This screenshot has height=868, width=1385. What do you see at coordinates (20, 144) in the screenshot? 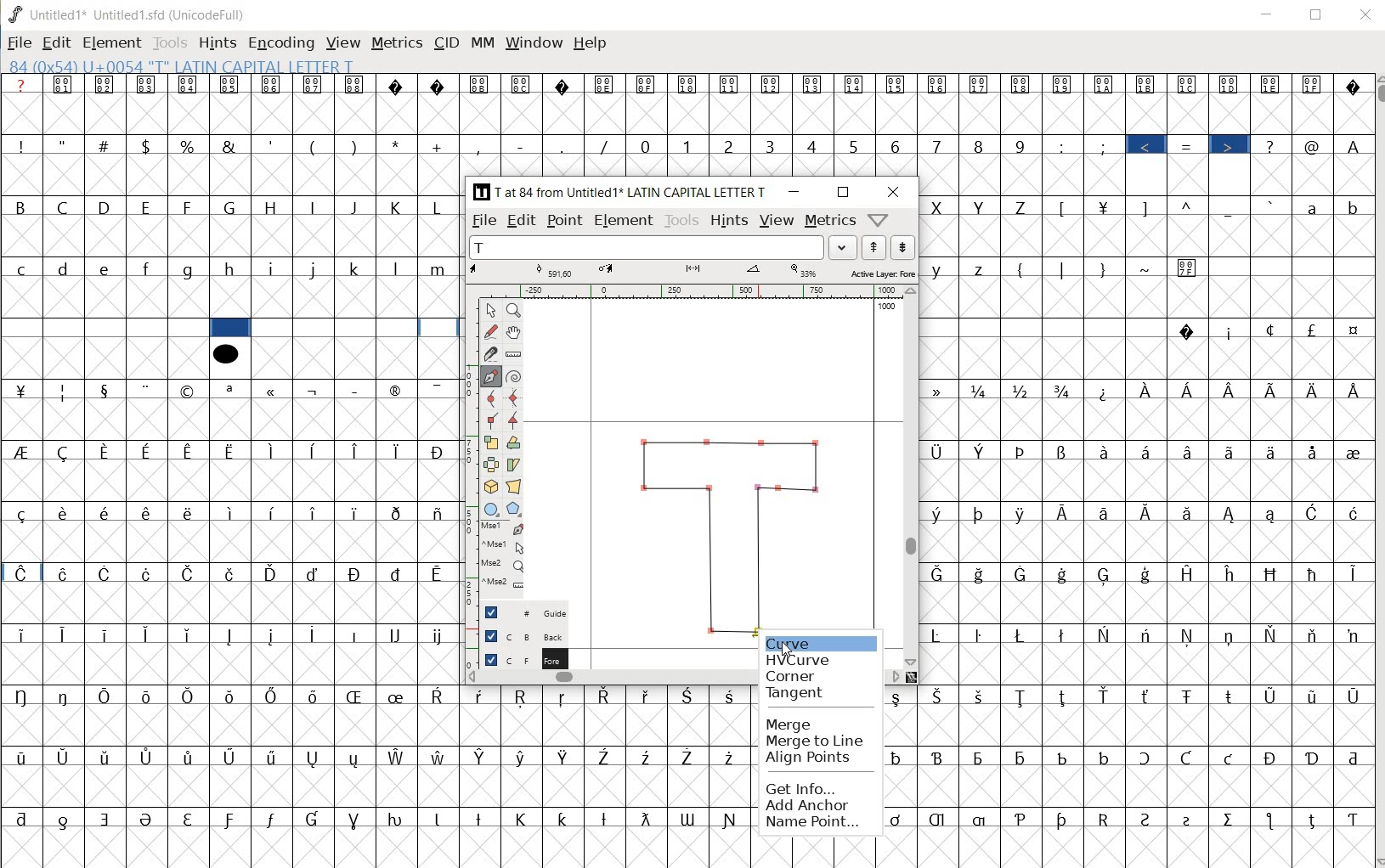
I see `!` at bounding box center [20, 144].